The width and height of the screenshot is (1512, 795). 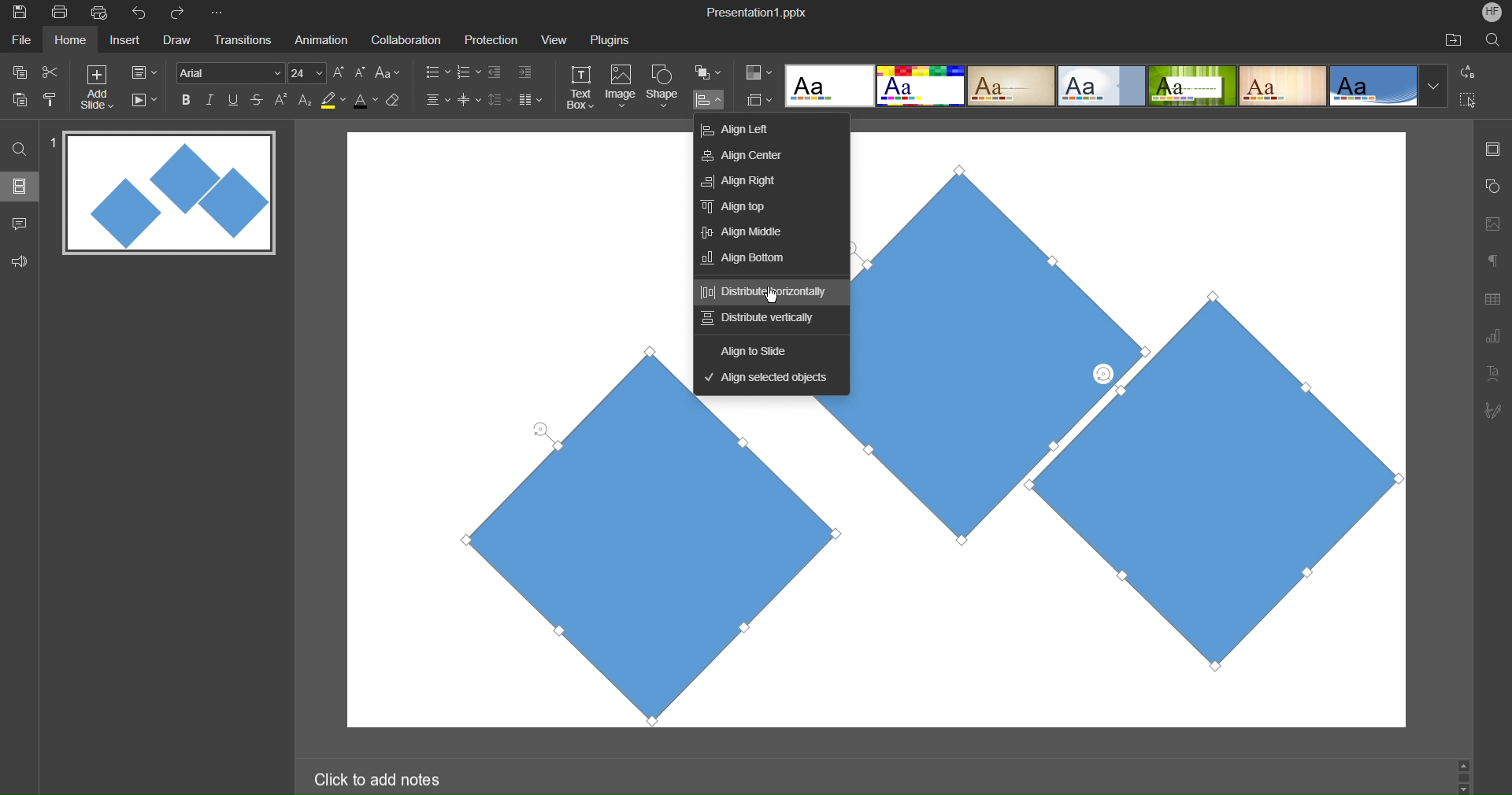 I want to click on Highlight, so click(x=334, y=100).